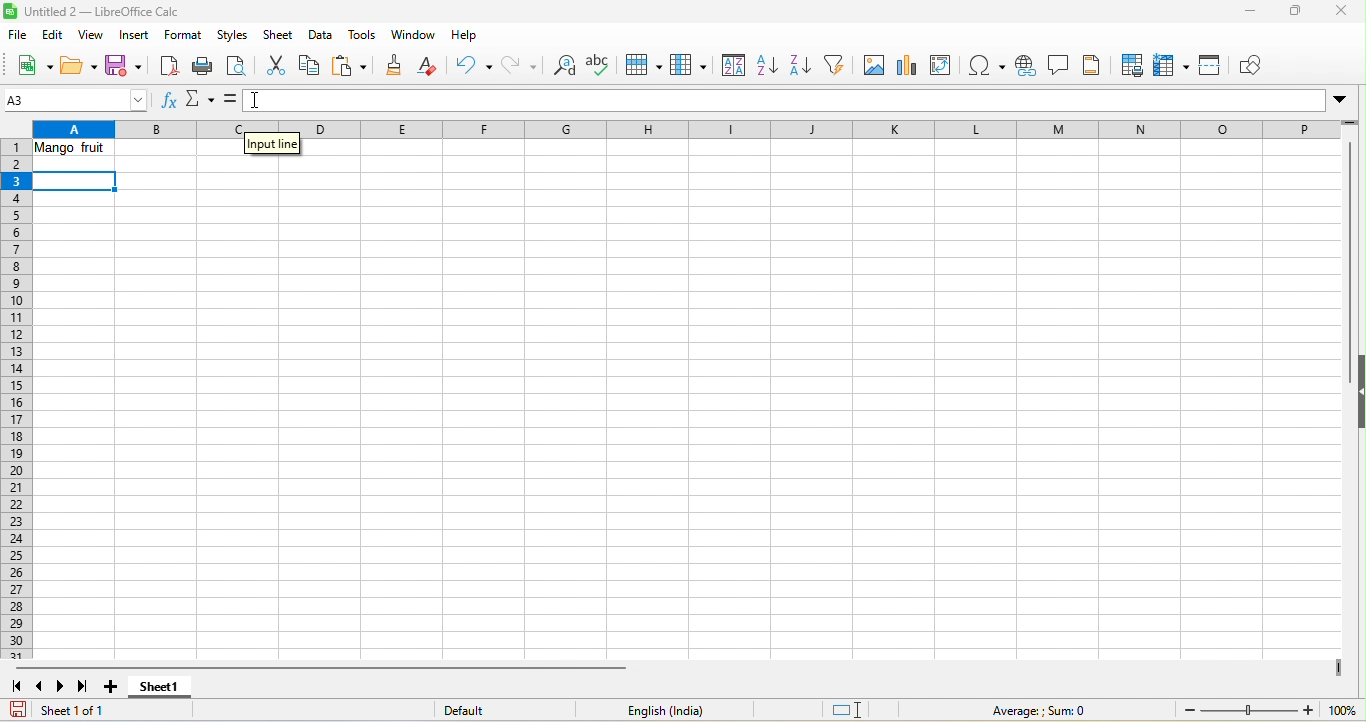 This screenshot has height=722, width=1366. Describe the element at coordinates (990, 66) in the screenshot. I see `special character` at that location.